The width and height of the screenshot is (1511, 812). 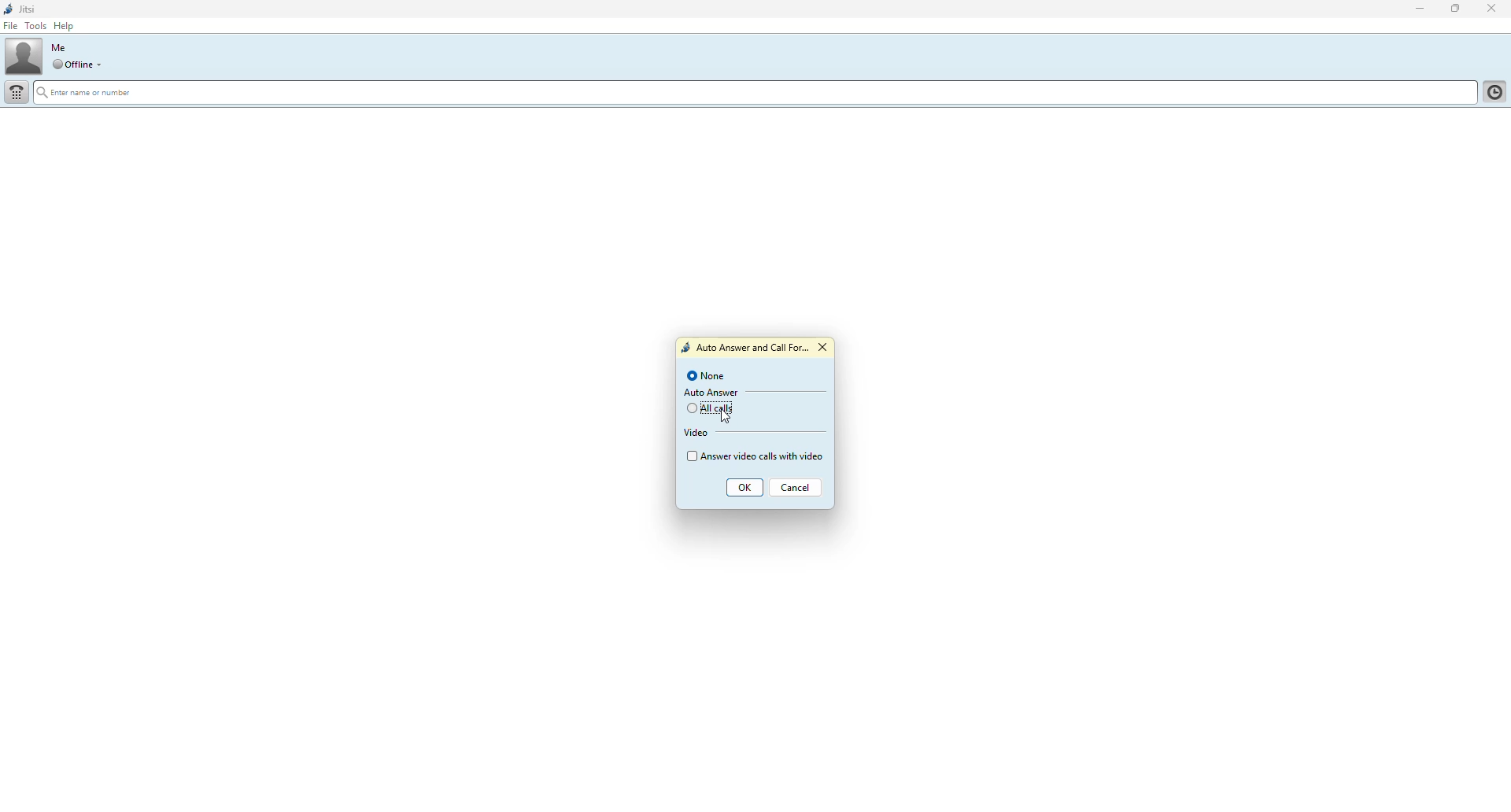 What do you see at coordinates (90, 94) in the screenshot?
I see `enter name or number` at bounding box center [90, 94].